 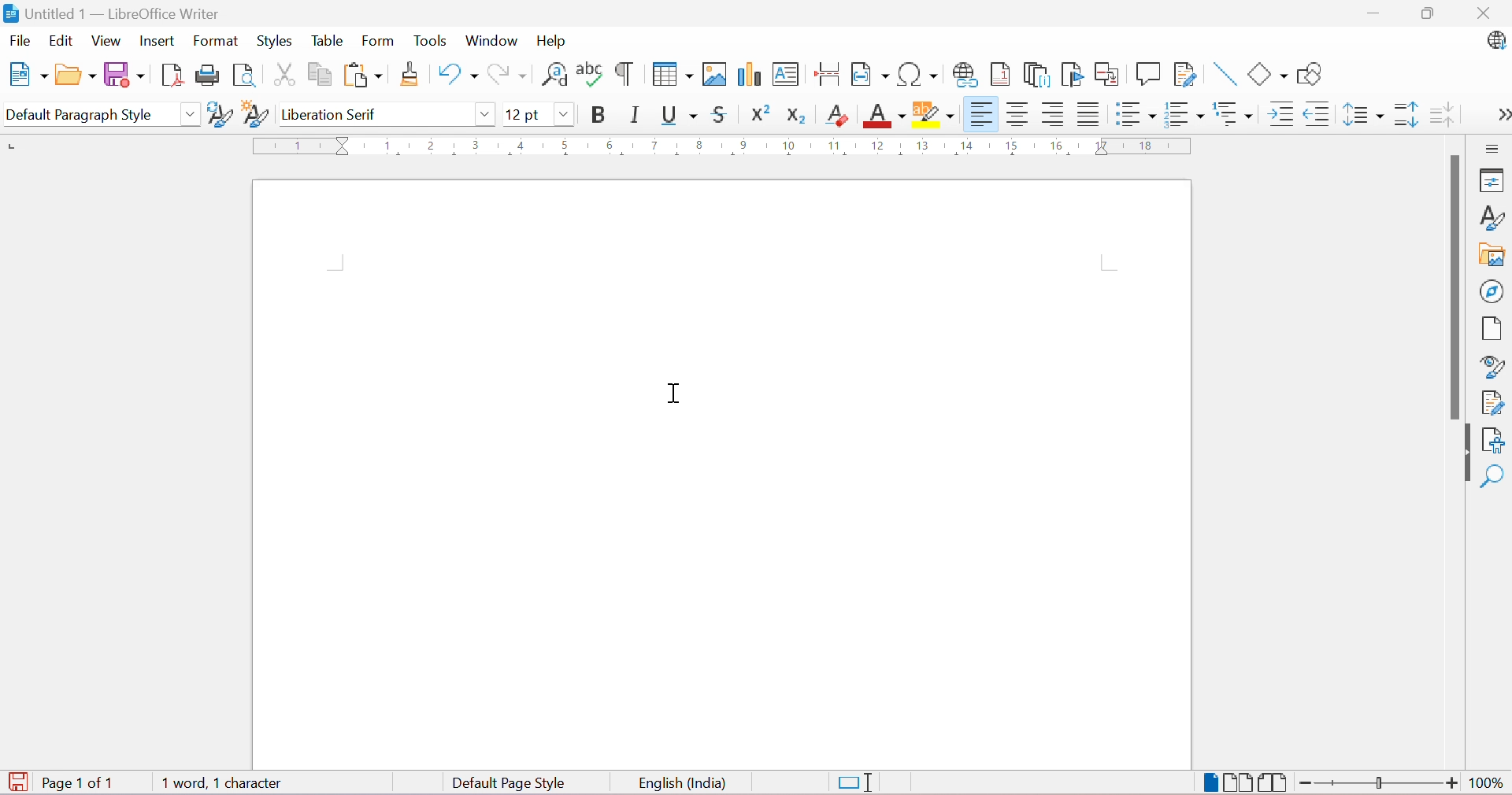 What do you see at coordinates (721, 113) in the screenshot?
I see `Strikethrough` at bounding box center [721, 113].